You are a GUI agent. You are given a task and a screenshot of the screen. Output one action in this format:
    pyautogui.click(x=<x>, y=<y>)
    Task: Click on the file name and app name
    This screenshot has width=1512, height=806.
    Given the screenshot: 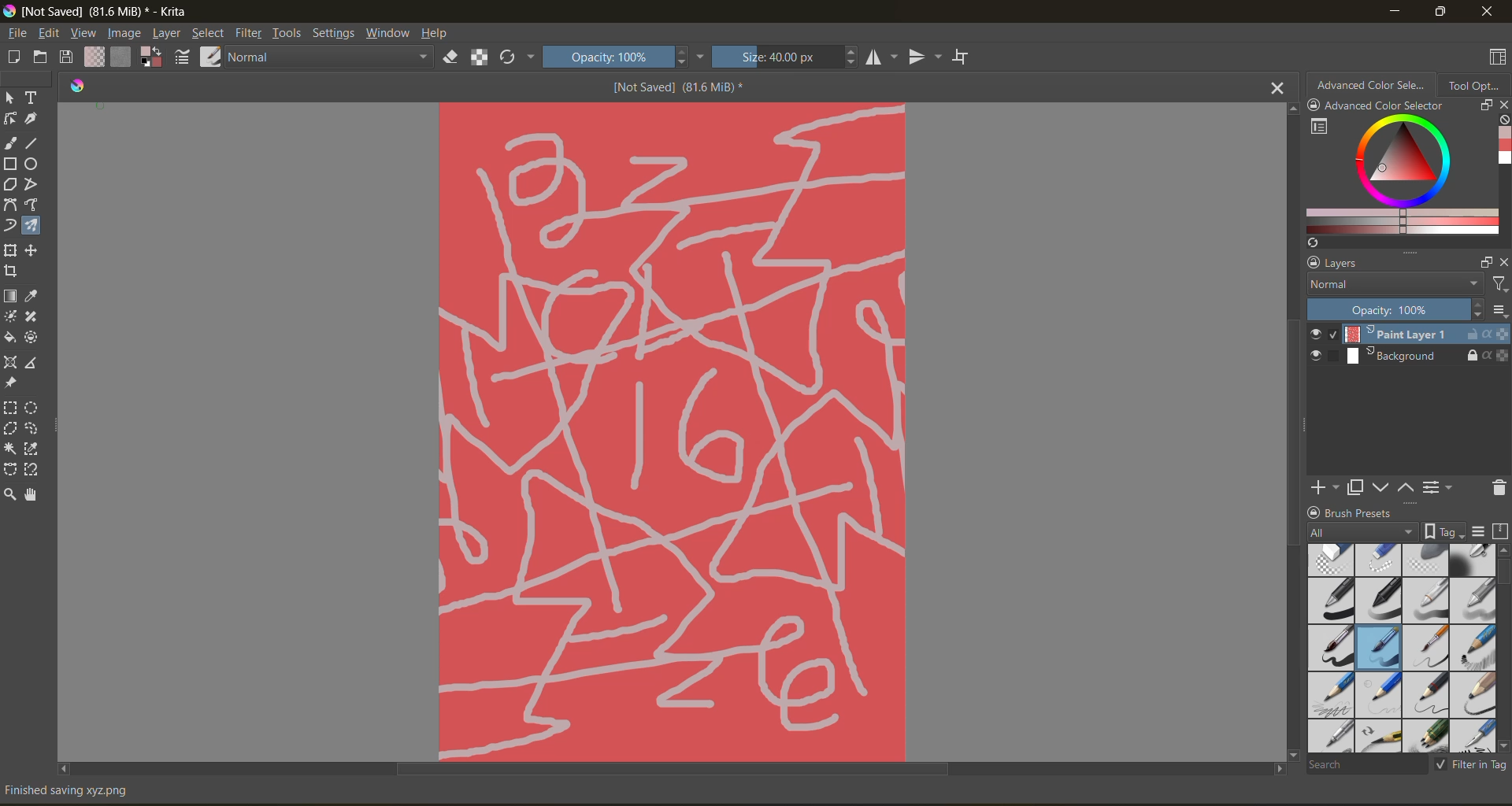 What is the action you would take?
    pyautogui.click(x=100, y=9)
    